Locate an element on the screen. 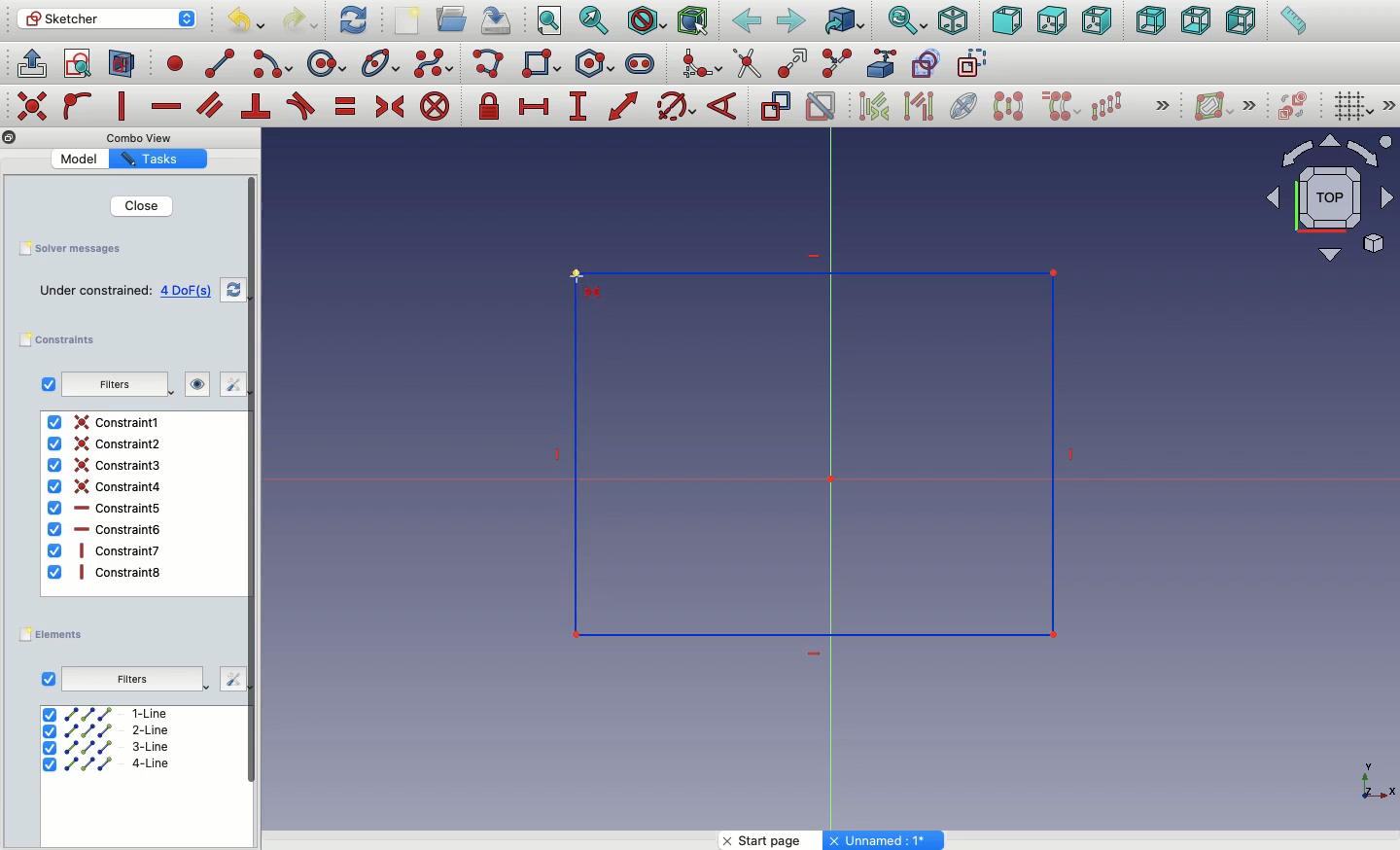 Image resolution: width=1400 pixels, height=850 pixels. Sync view is located at coordinates (906, 21).